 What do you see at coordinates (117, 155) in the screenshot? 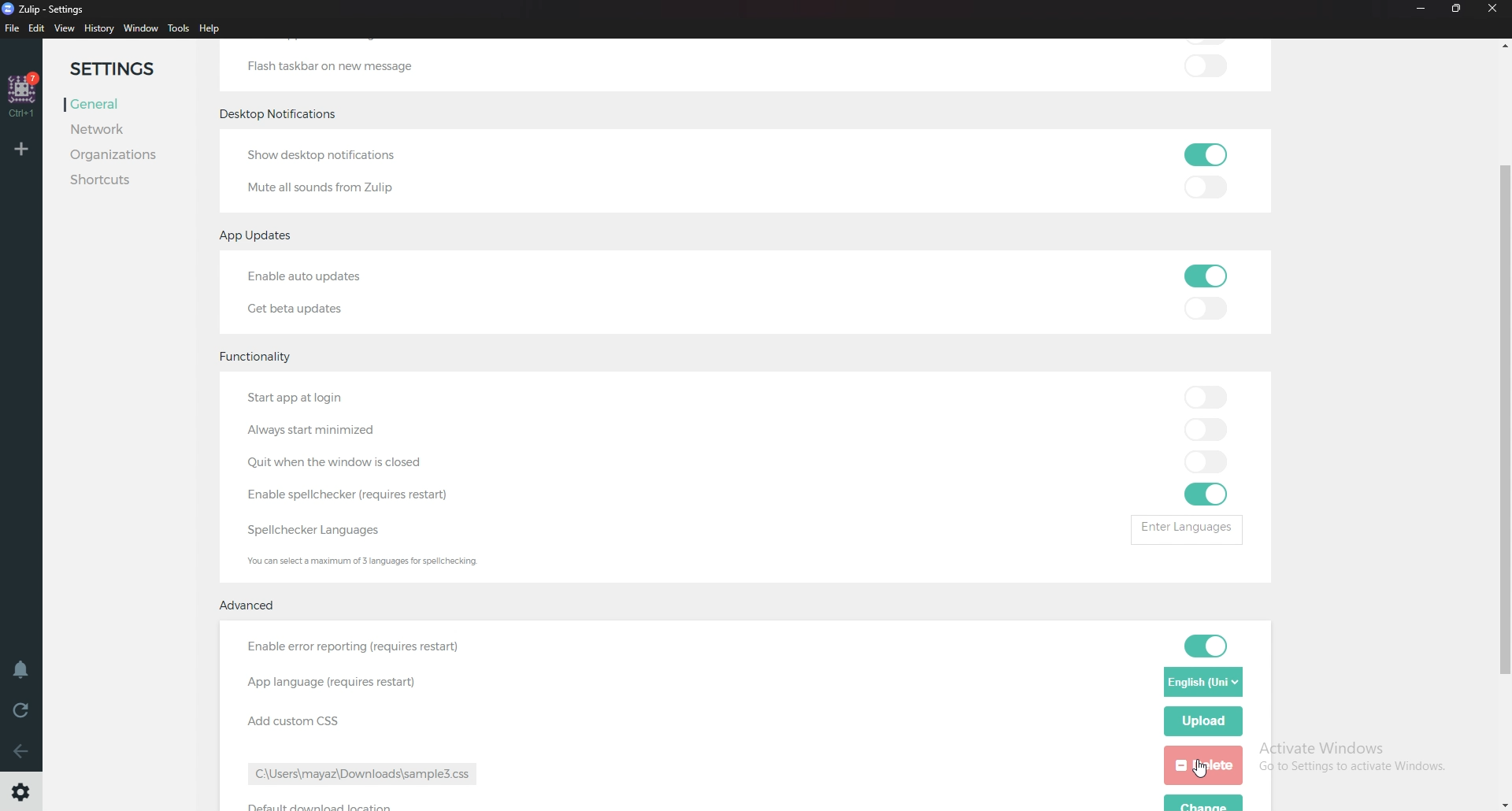
I see `Organizations` at bounding box center [117, 155].